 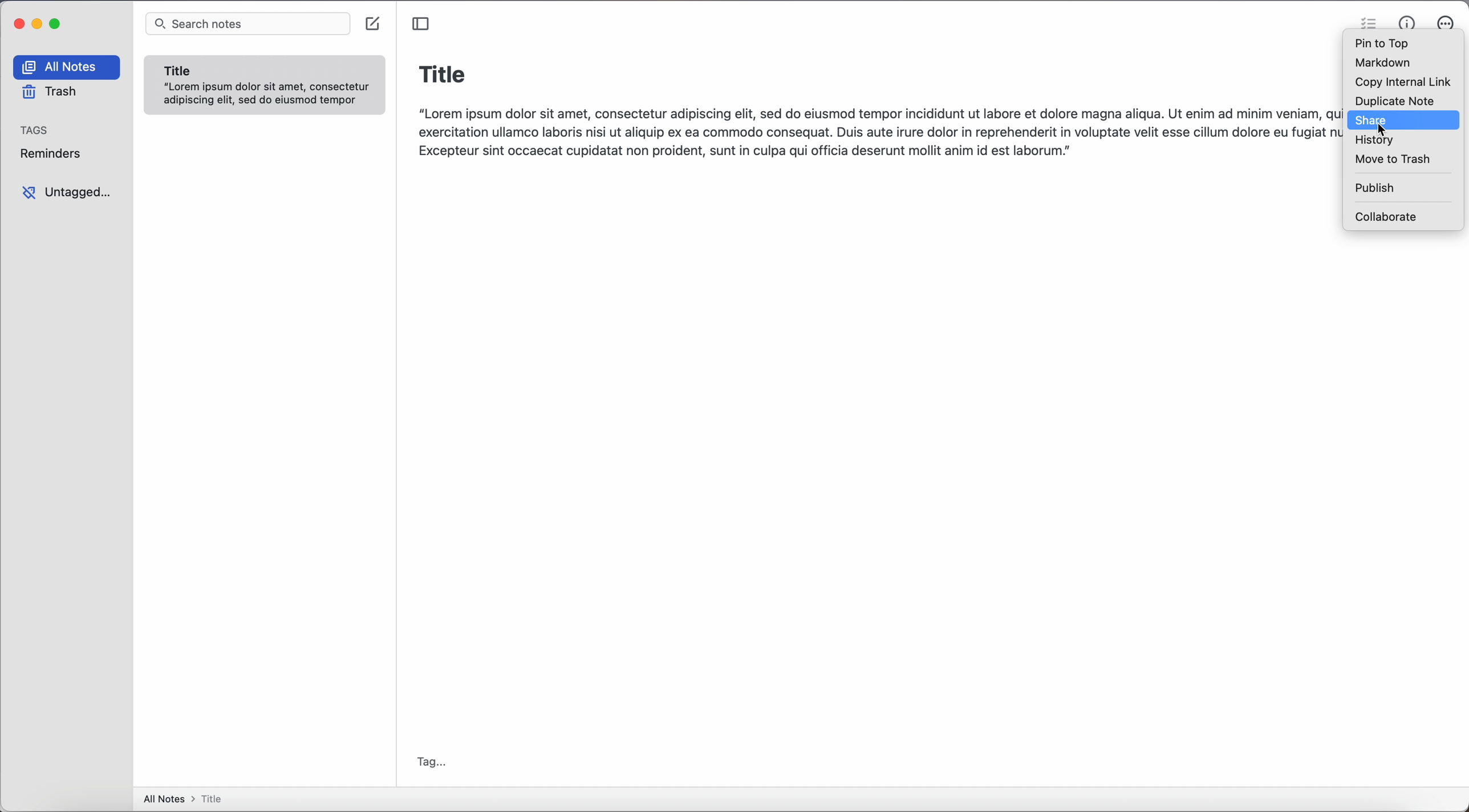 I want to click on cursor, so click(x=1385, y=131).